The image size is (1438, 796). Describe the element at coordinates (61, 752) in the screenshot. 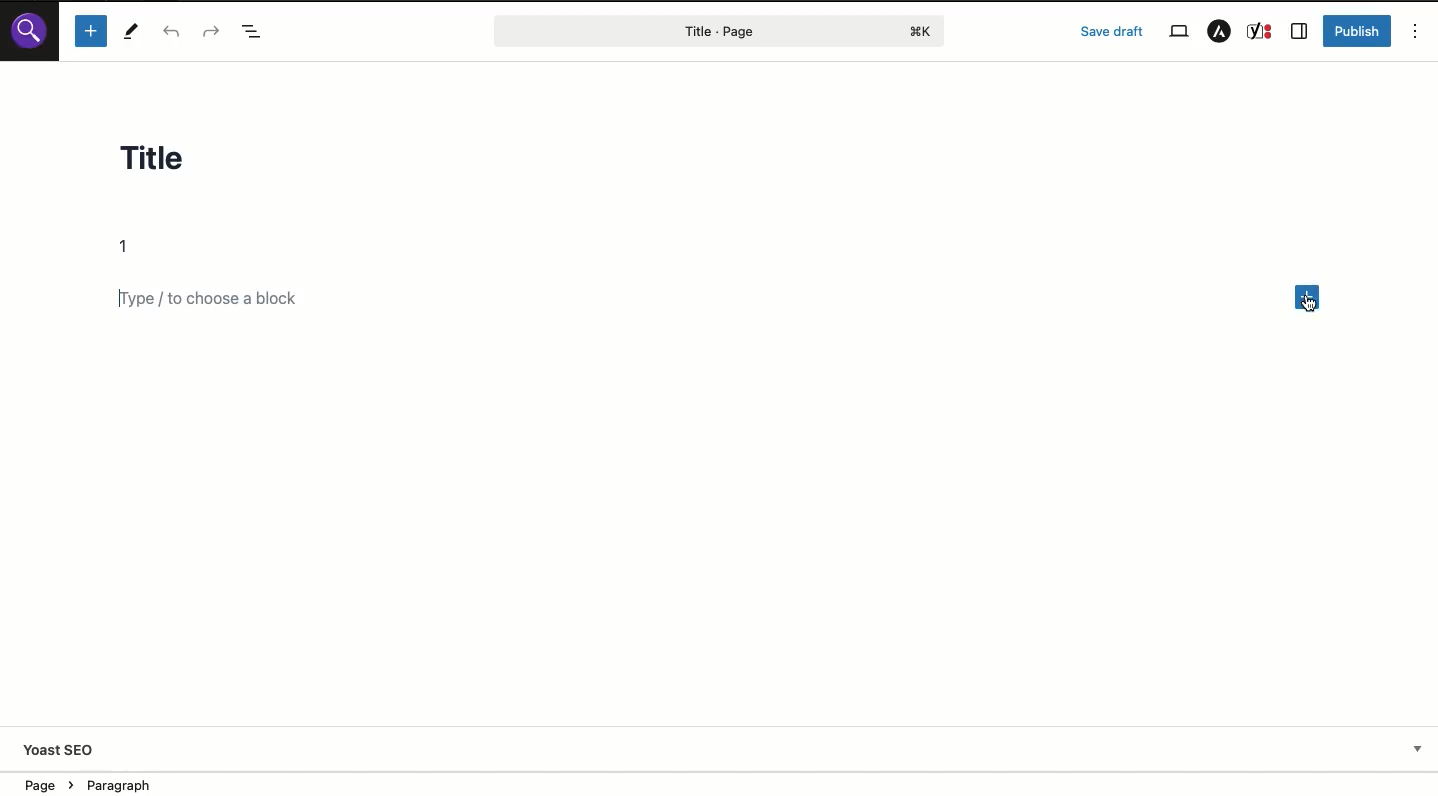

I see `Yoast SEO` at that location.